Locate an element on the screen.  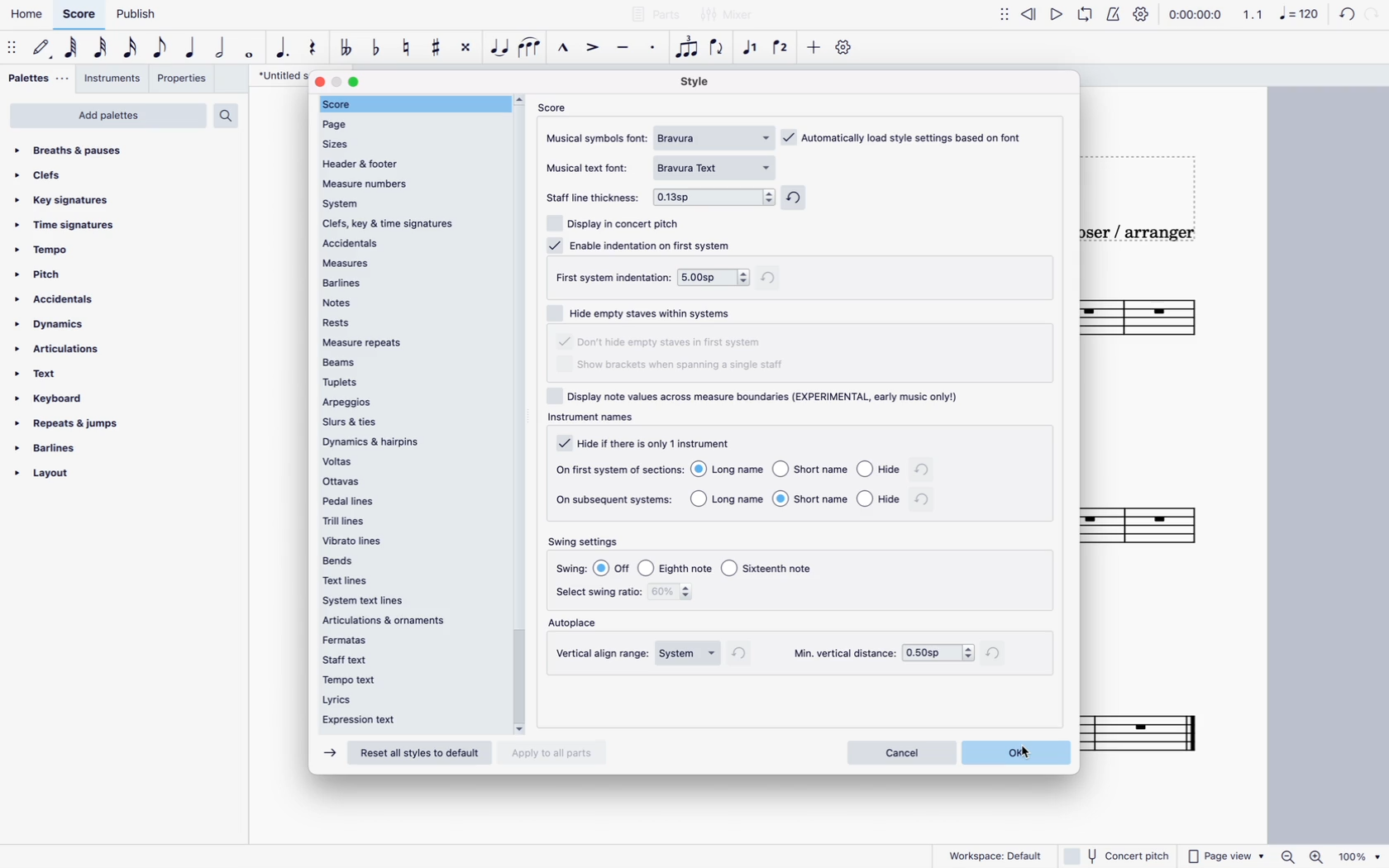
Score is located at coordinates (79, 12).